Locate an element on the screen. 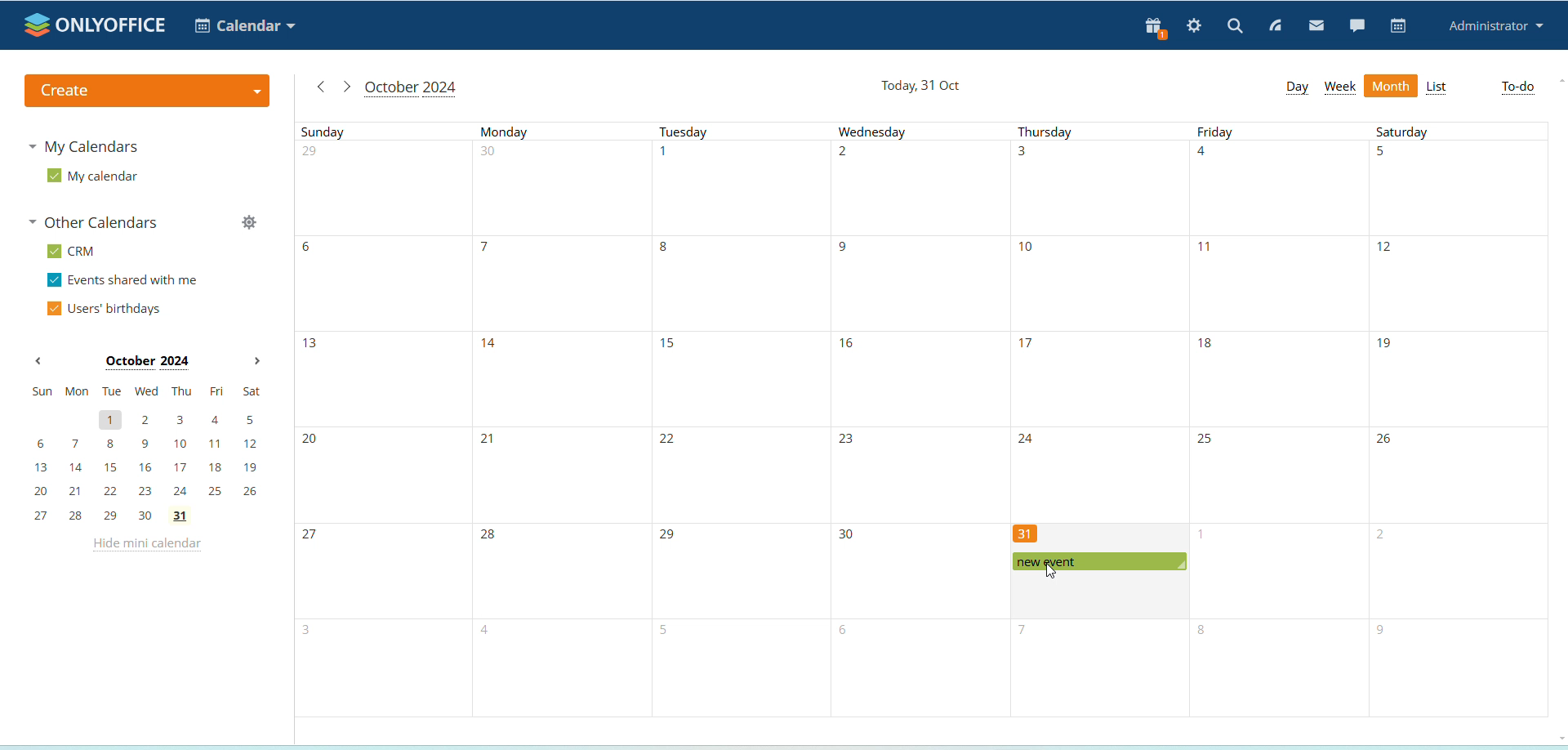 The height and width of the screenshot is (750, 1568). monday is located at coordinates (559, 419).